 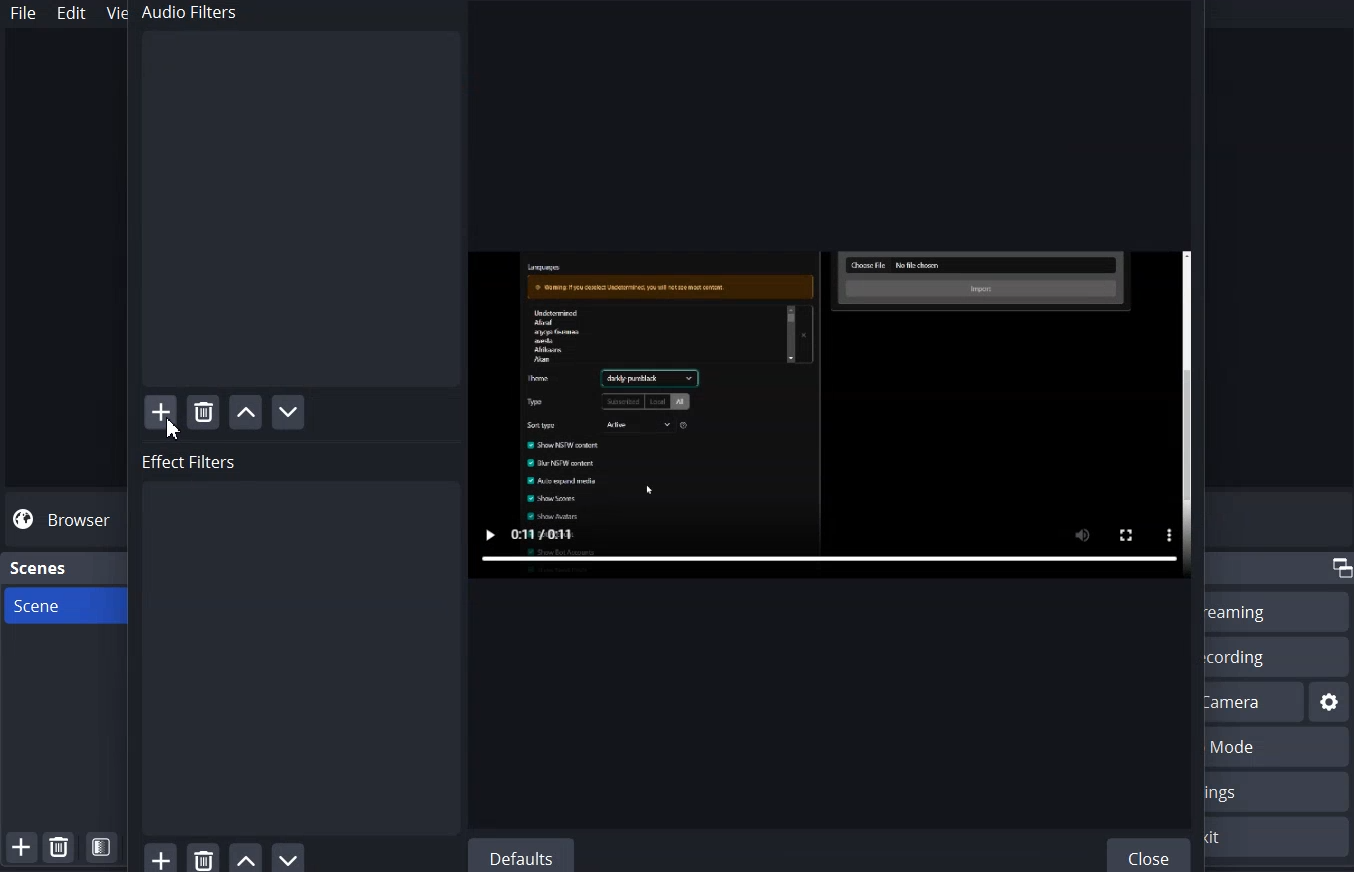 I want to click on Add Filter, so click(x=160, y=856).